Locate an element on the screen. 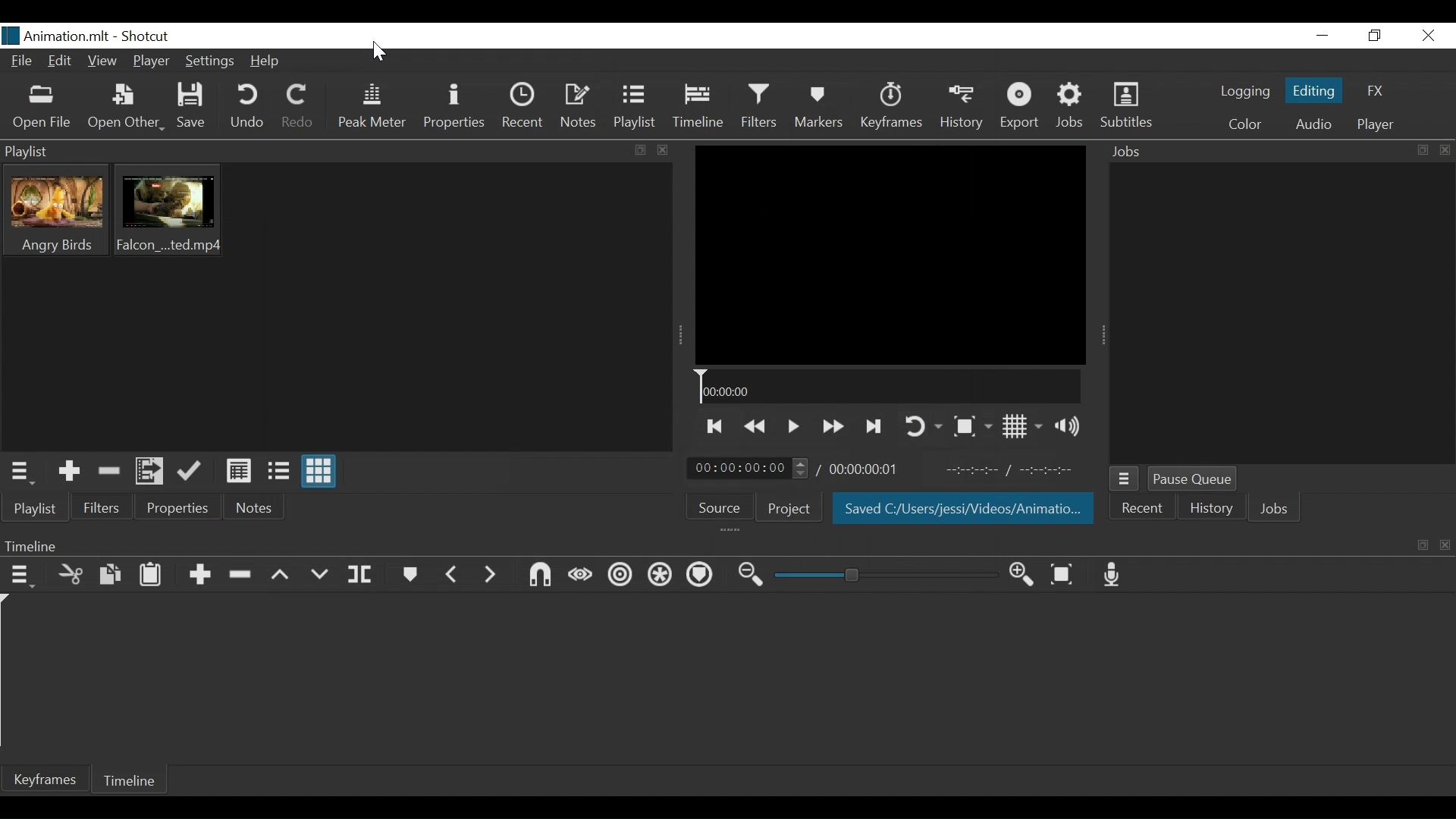 The height and width of the screenshot is (819, 1456). Edit is located at coordinates (61, 63).